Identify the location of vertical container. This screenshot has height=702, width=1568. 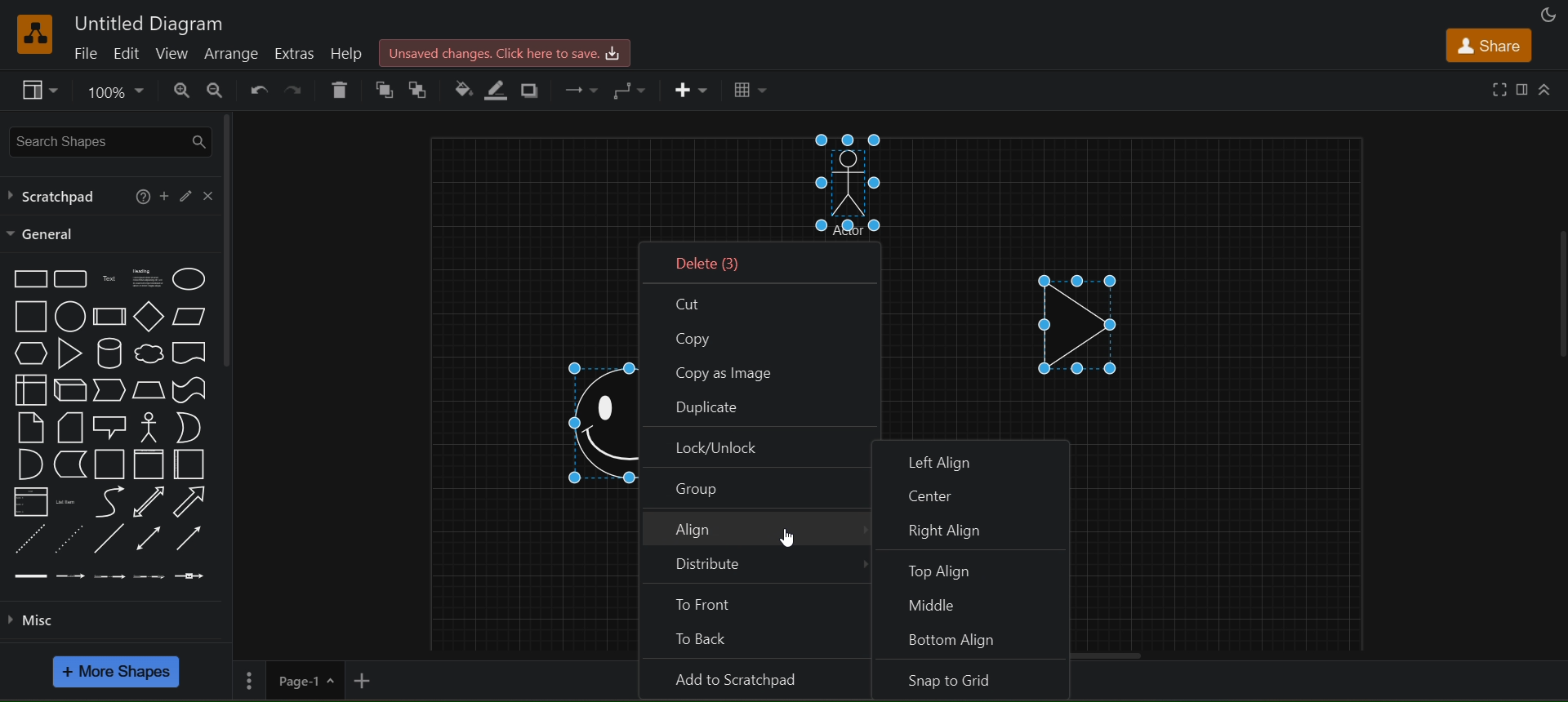
(149, 464).